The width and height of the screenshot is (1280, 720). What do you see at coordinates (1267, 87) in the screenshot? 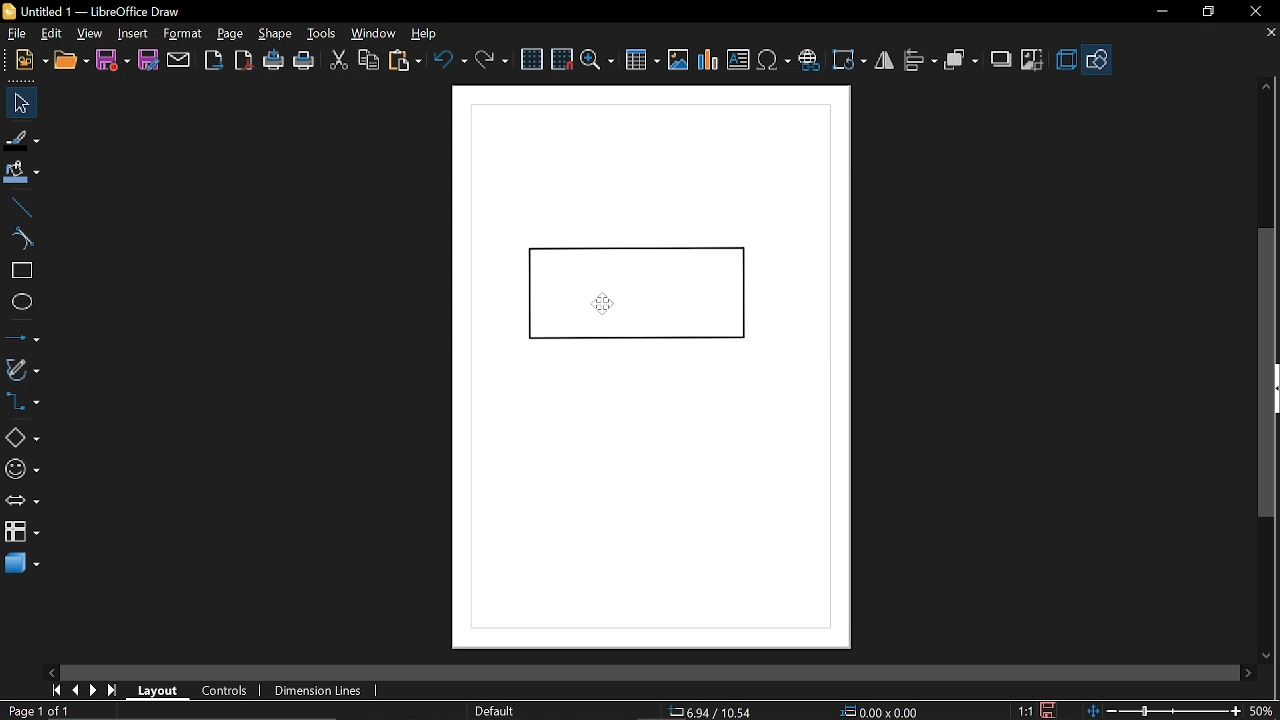
I see `MOve up` at bounding box center [1267, 87].